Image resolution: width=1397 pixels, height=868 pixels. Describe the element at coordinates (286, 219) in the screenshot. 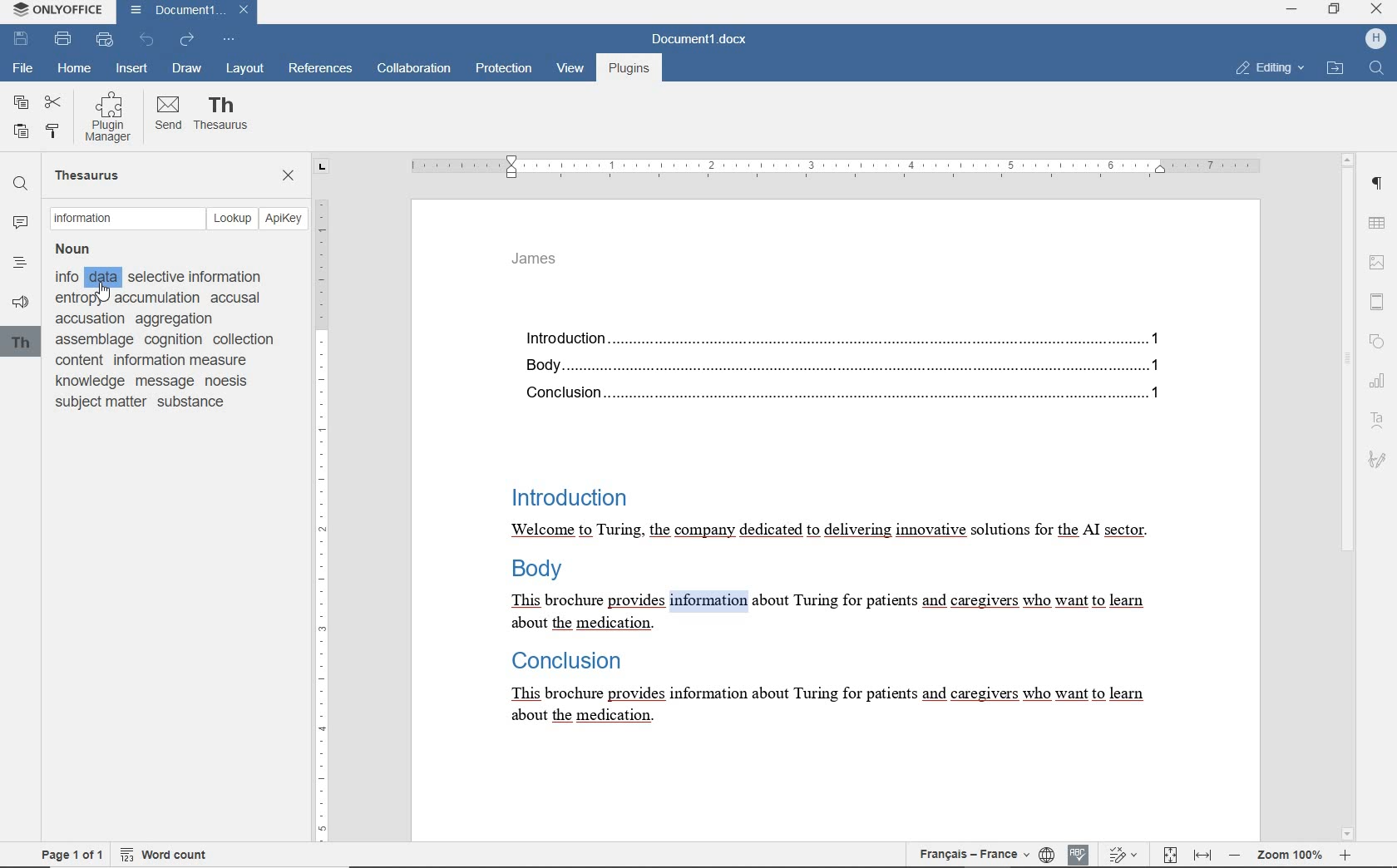

I see `APIKEY` at that location.